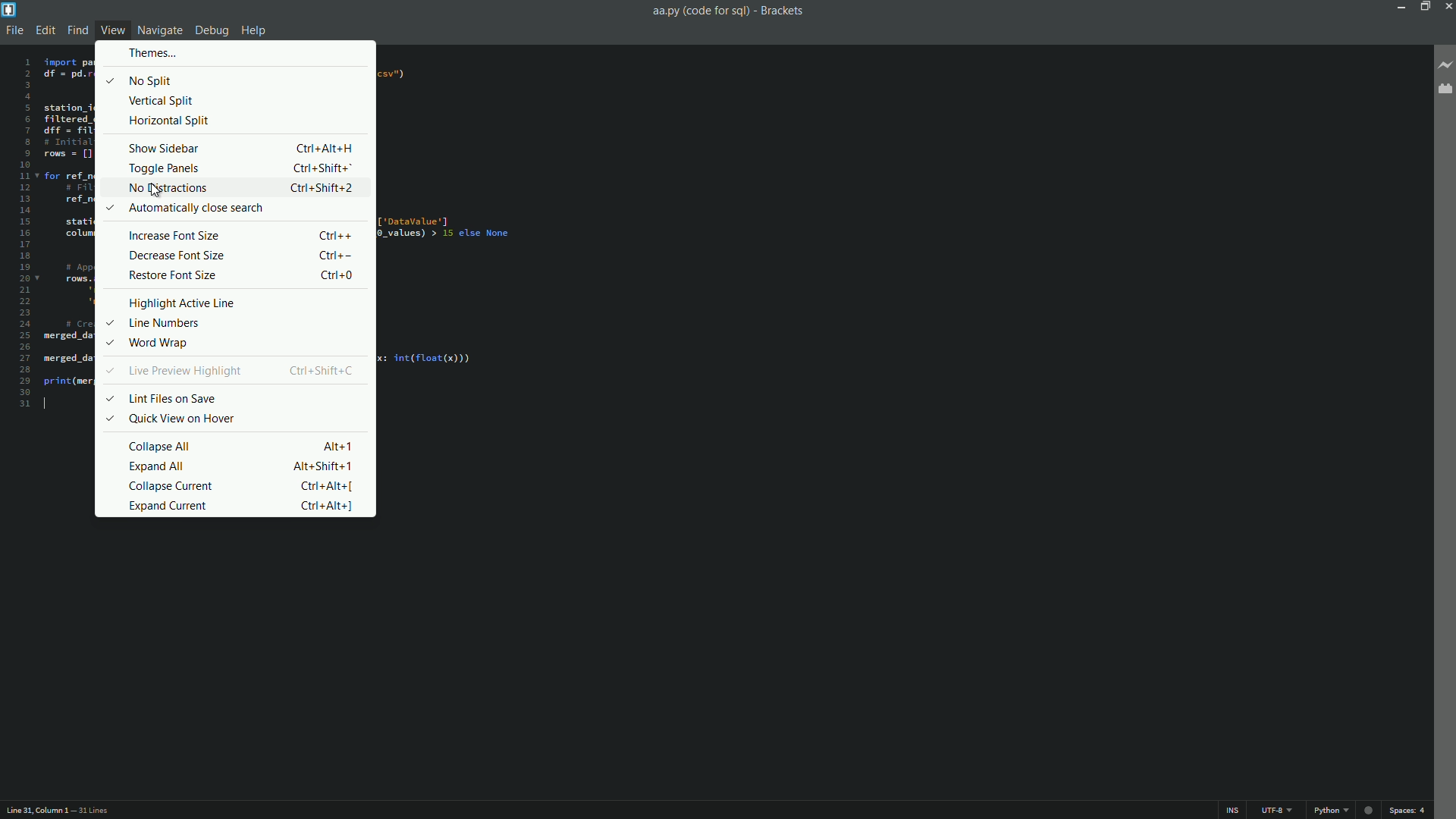 The width and height of the screenshot is (1456, 819). Describe the element at coordinates (1443, 62) in the screenshot. I see `live preview` at that location.